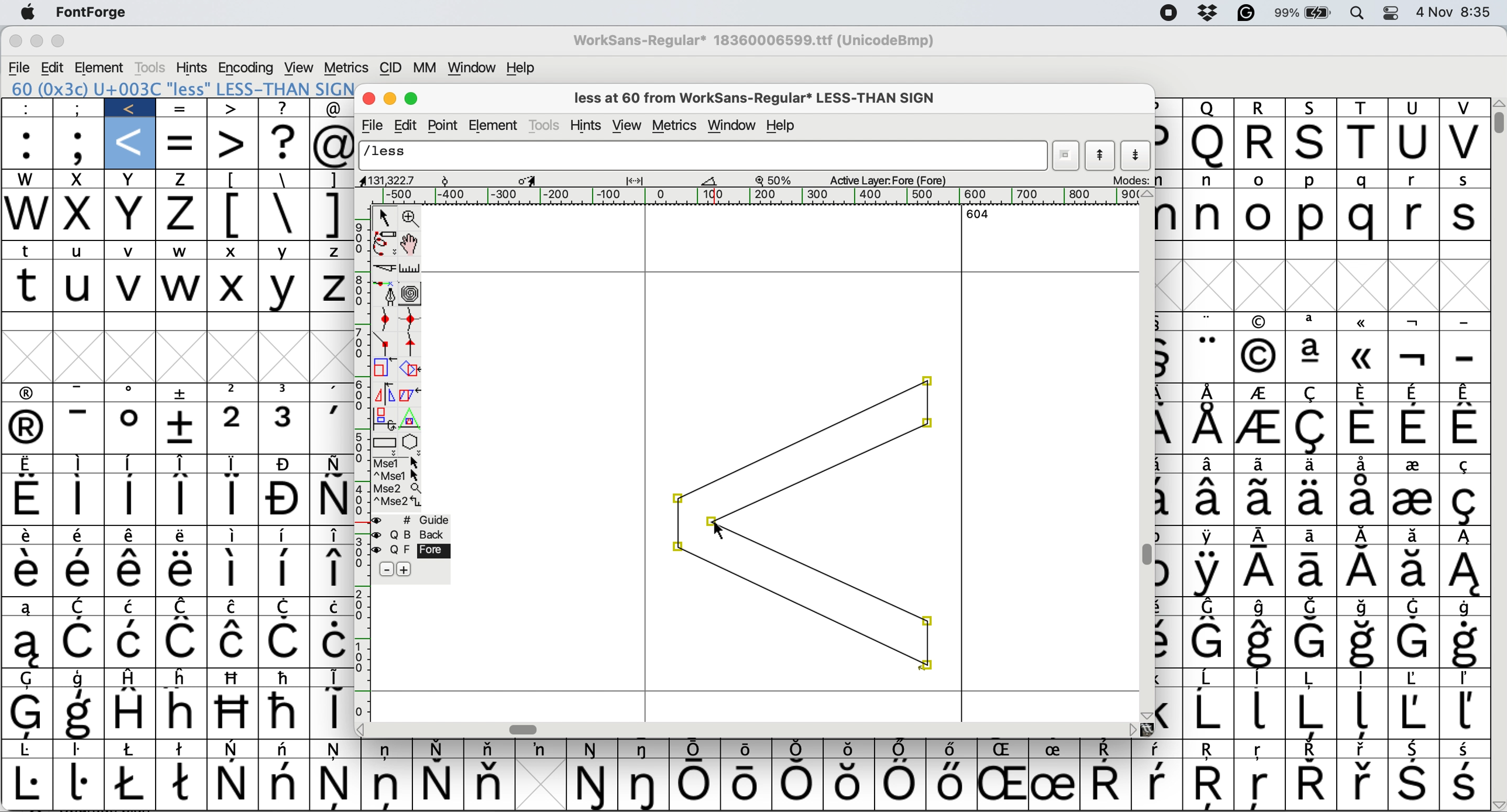  Describe the element at coordinates (285, 107) in the screenshot. I see `?` at that location.